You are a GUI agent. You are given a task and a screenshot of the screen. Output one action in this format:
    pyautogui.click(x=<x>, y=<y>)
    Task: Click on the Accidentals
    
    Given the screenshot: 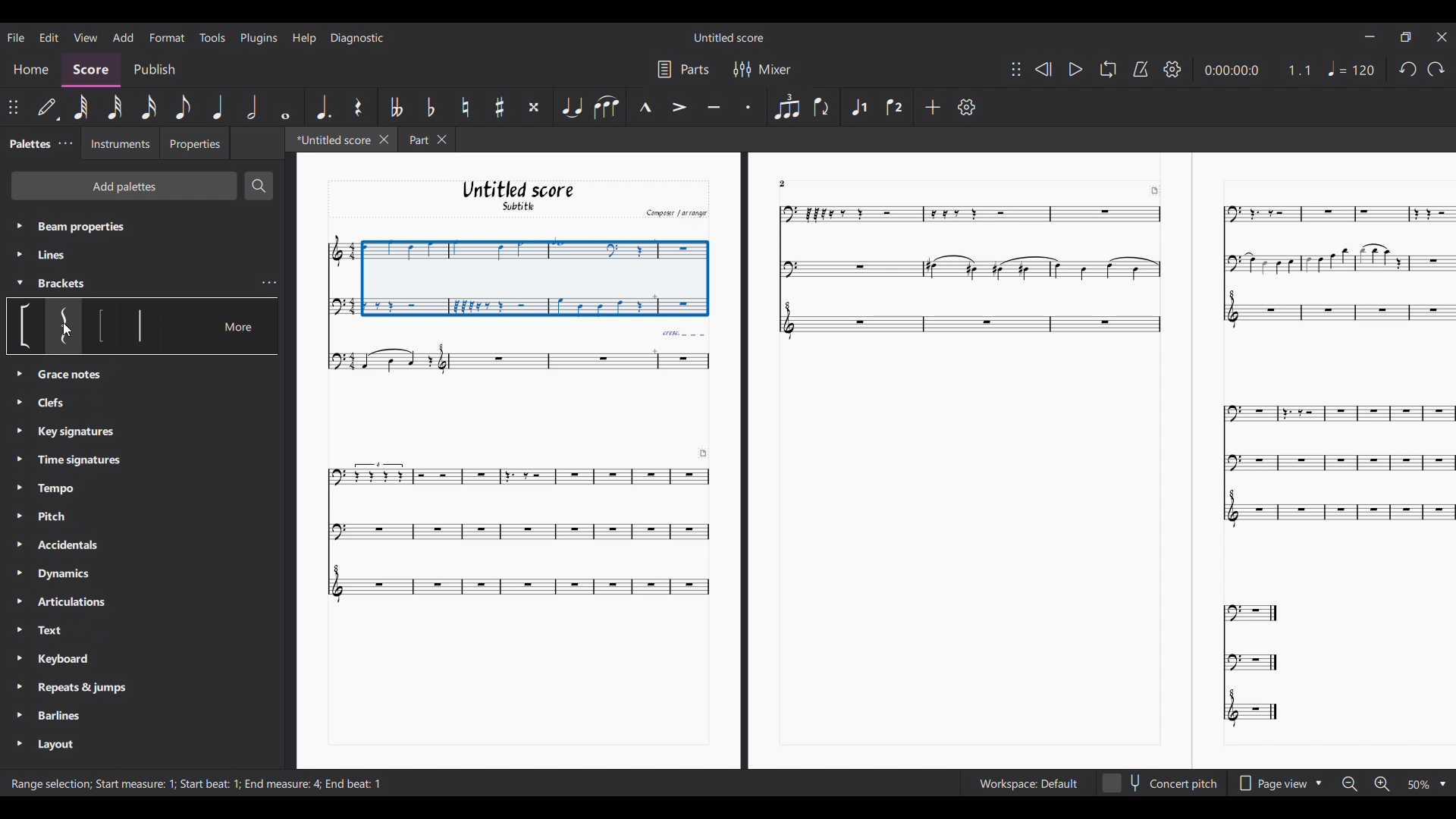 What is the action you would take?
    pyautogui.click(x=66, y=547)
    